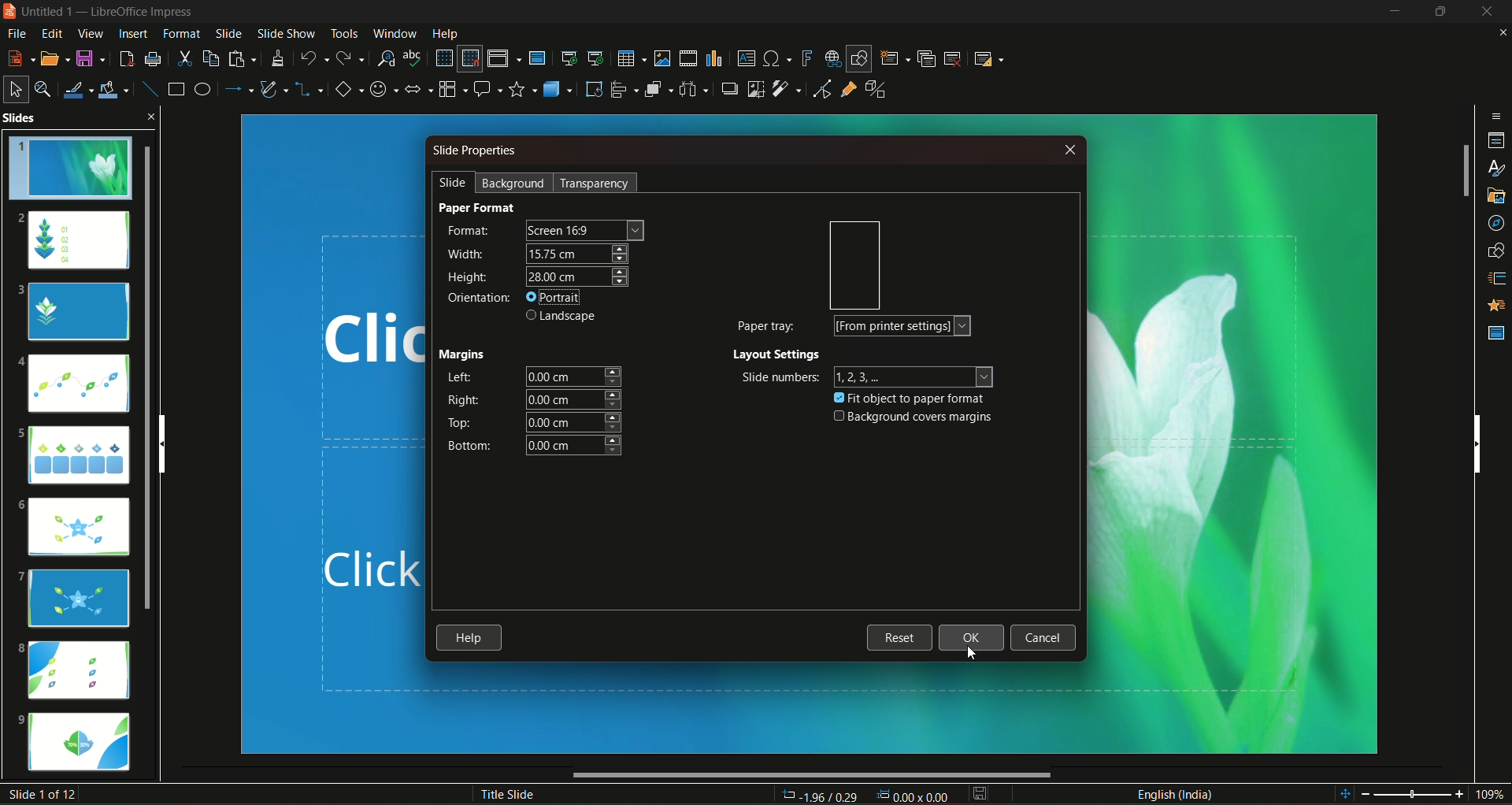  What do you see at coordinates (807, 58) in the screenshot?
I see `insert fontwork` at bounding box center [807, 58].